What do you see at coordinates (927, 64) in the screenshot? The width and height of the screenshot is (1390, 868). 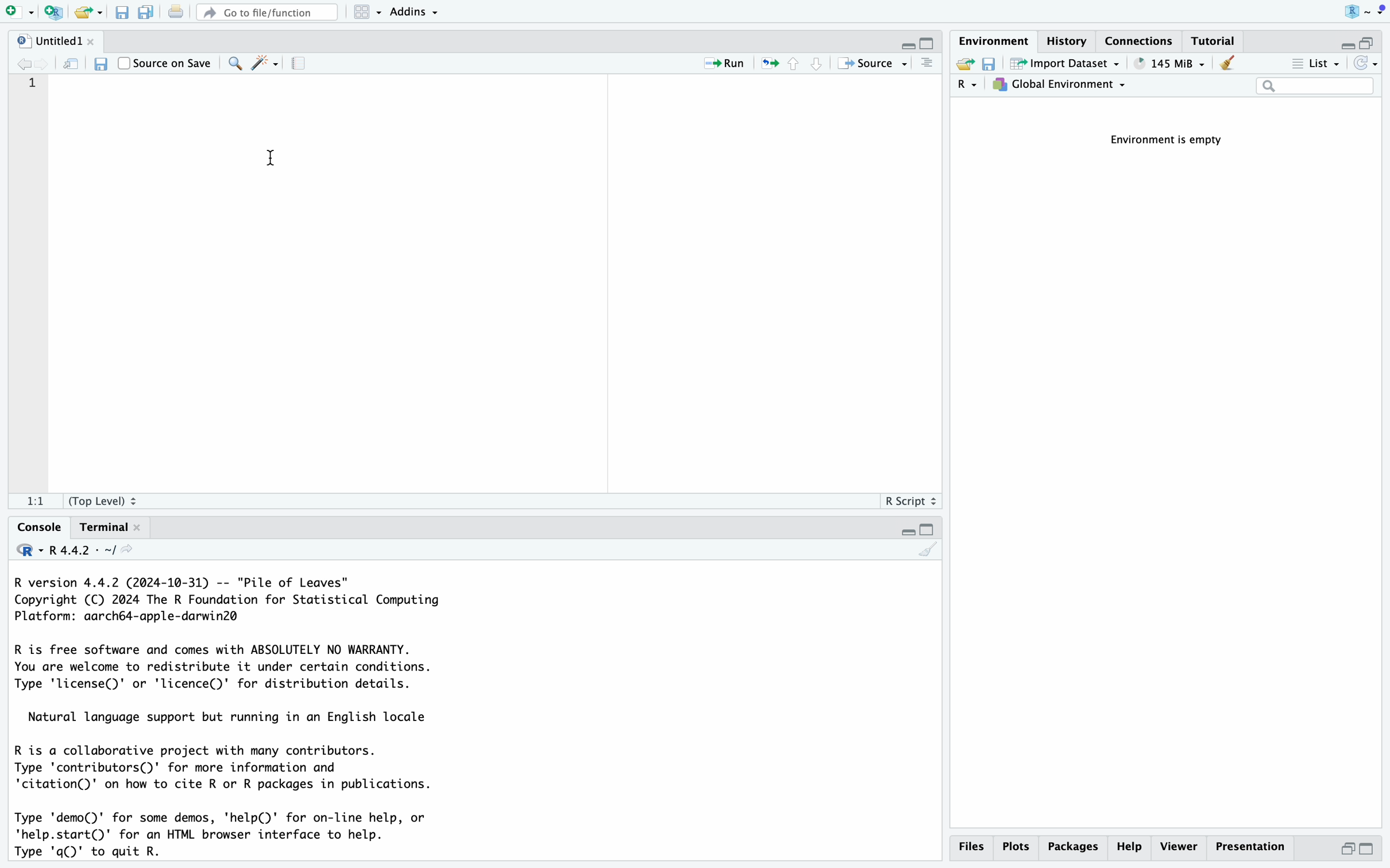 I see `console` at bounding box center [927, 64].